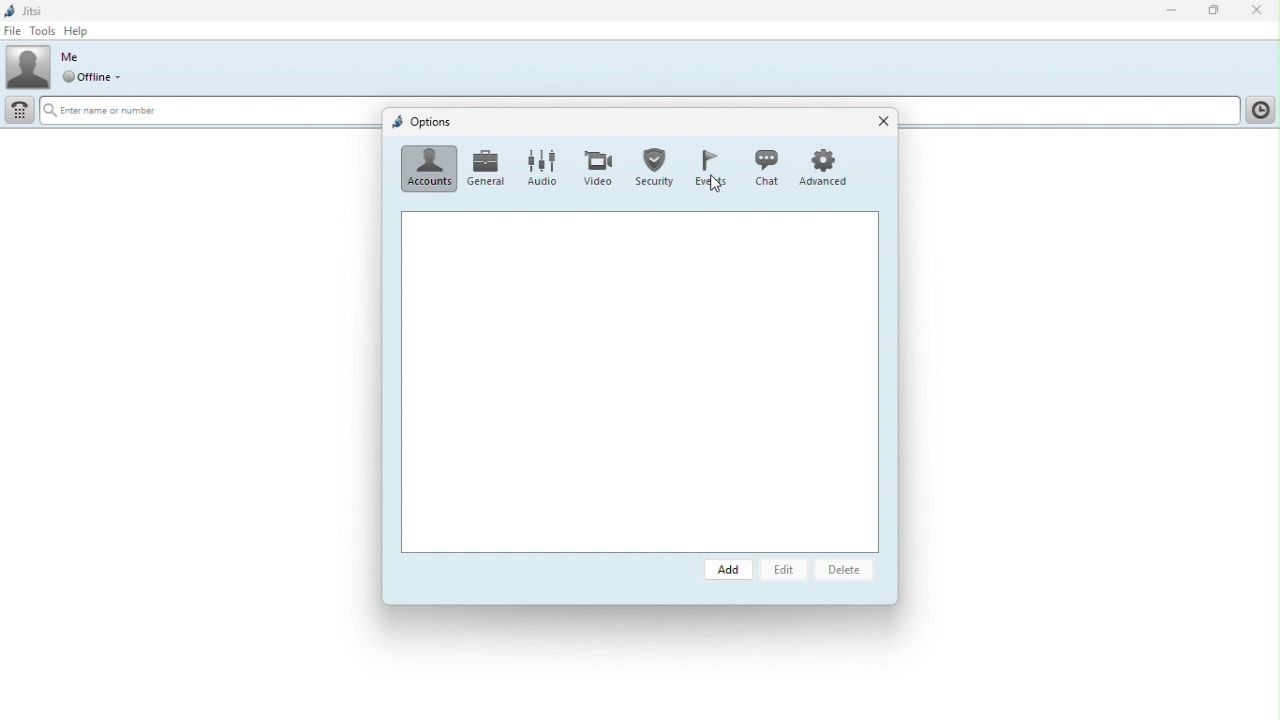  Describe the element at coordinates (841, 571) in the screenshot. I see `delete` at that location.